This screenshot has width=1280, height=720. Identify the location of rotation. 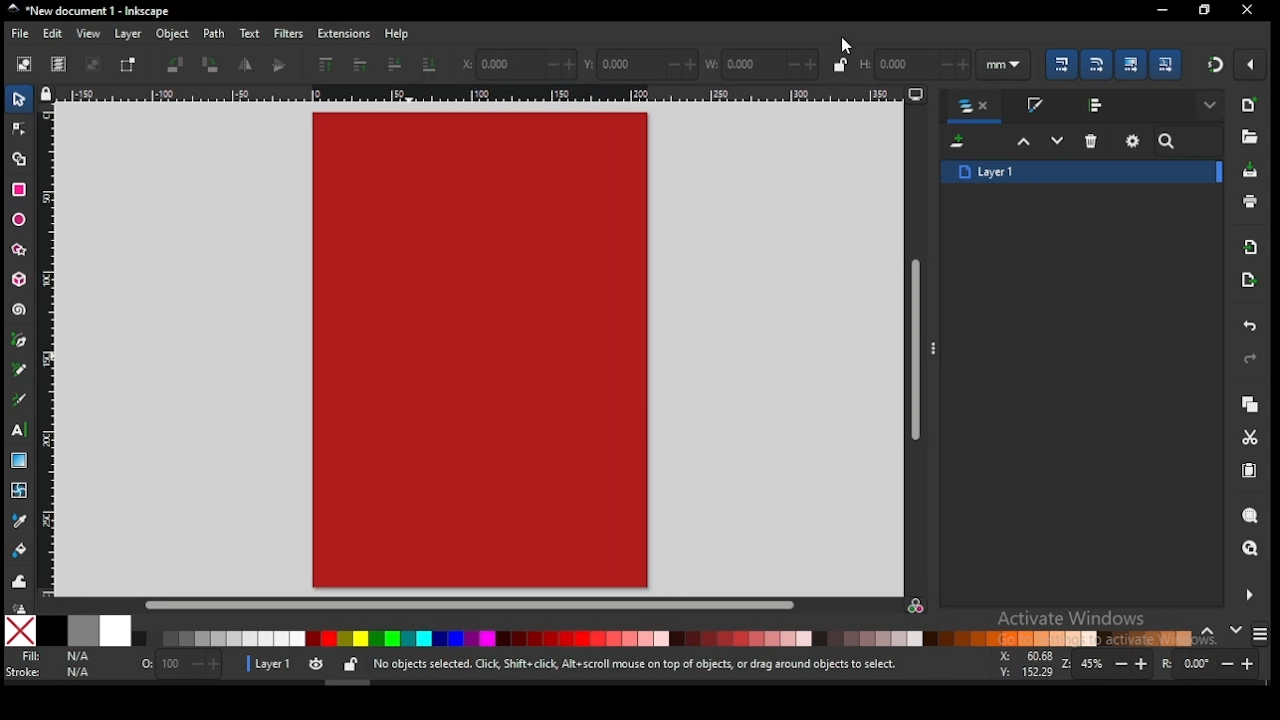
(1214, 664).